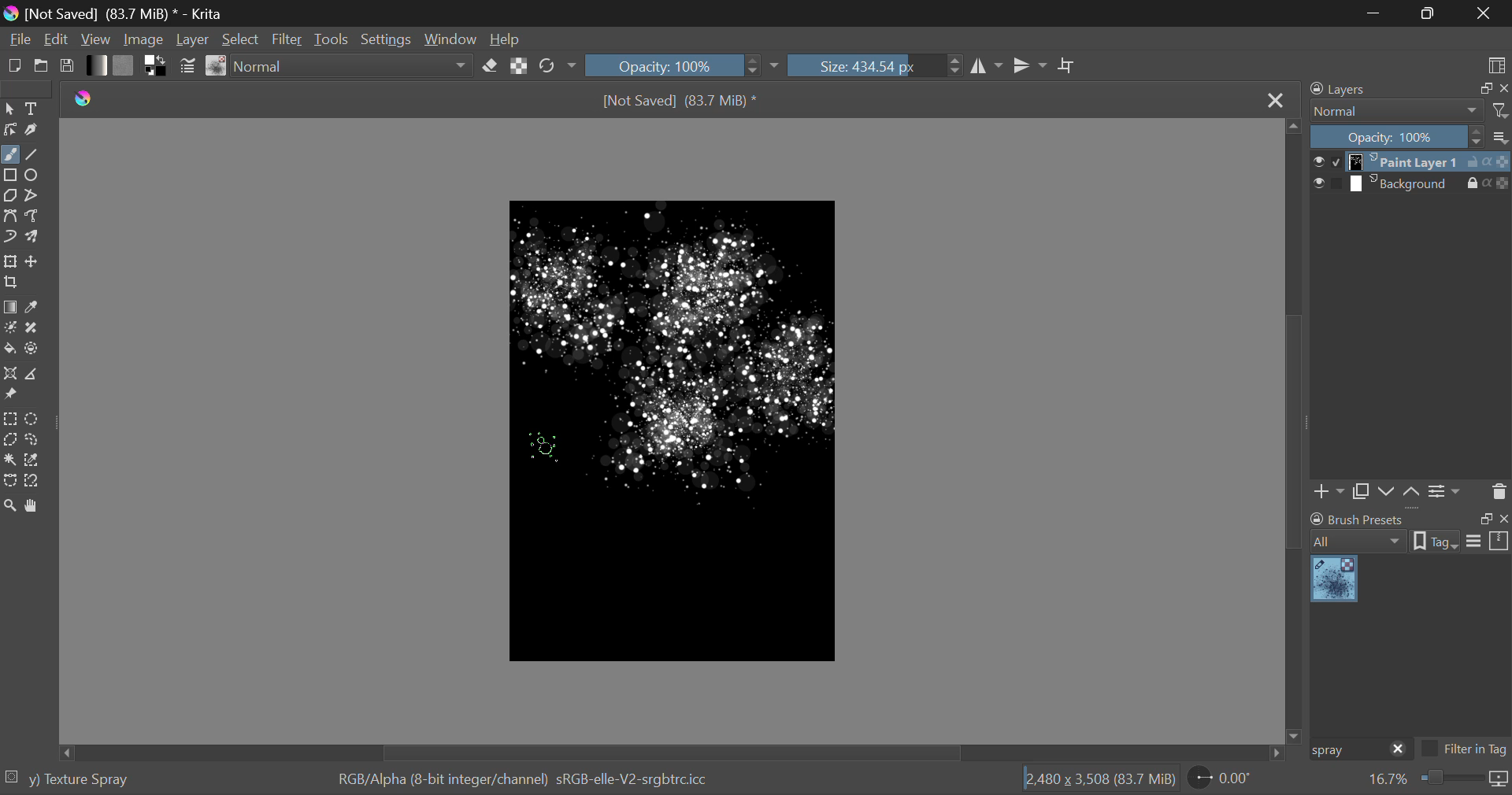 The image size is (1512, 795). What do you see at coordinates (1360, 542) in the screenshot?
I see `all` at bounding box center [1360, 542].